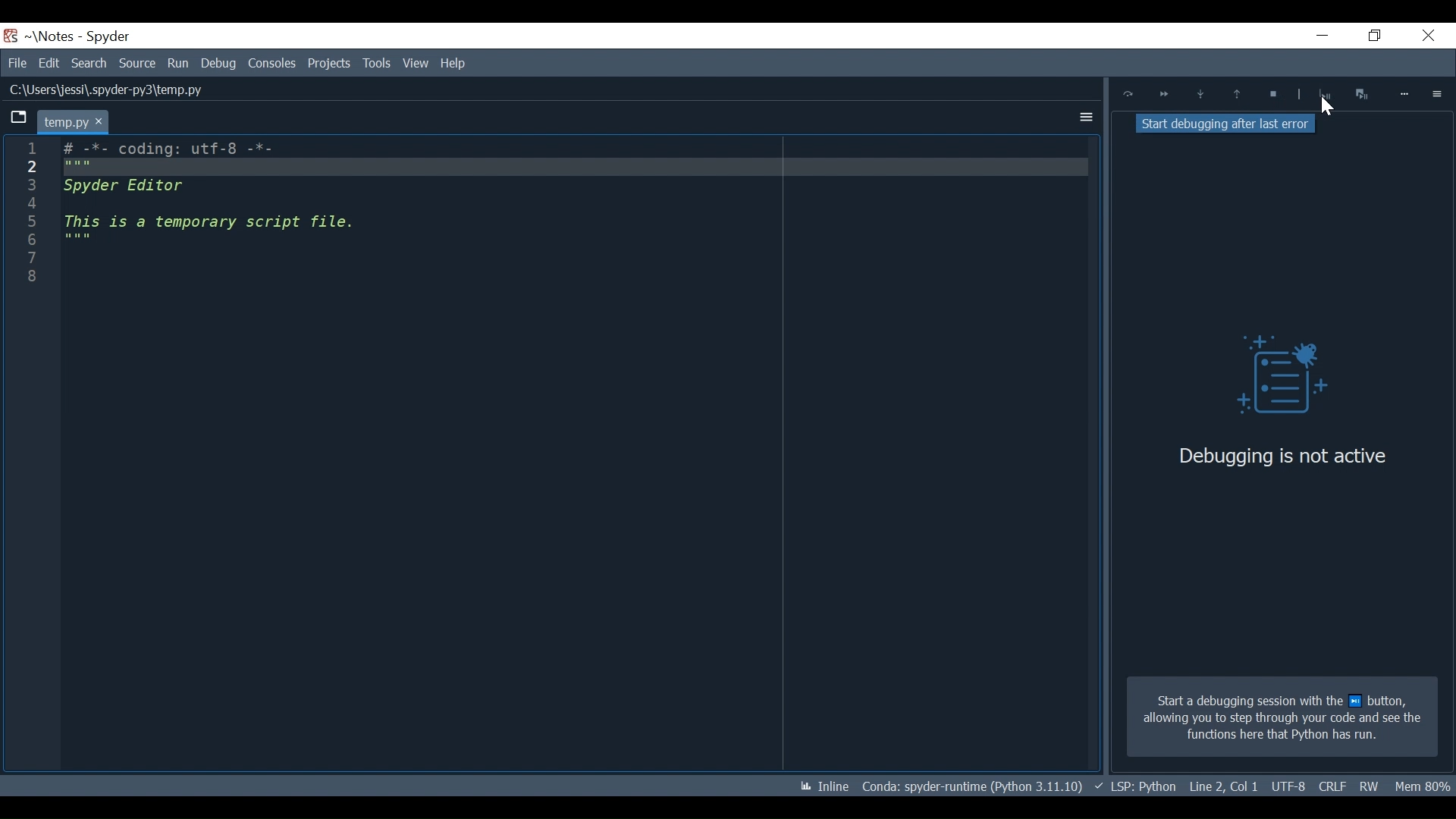  Describe the element at coordinates (72, 121) in the screenshot. I see `Current tab` at that location.